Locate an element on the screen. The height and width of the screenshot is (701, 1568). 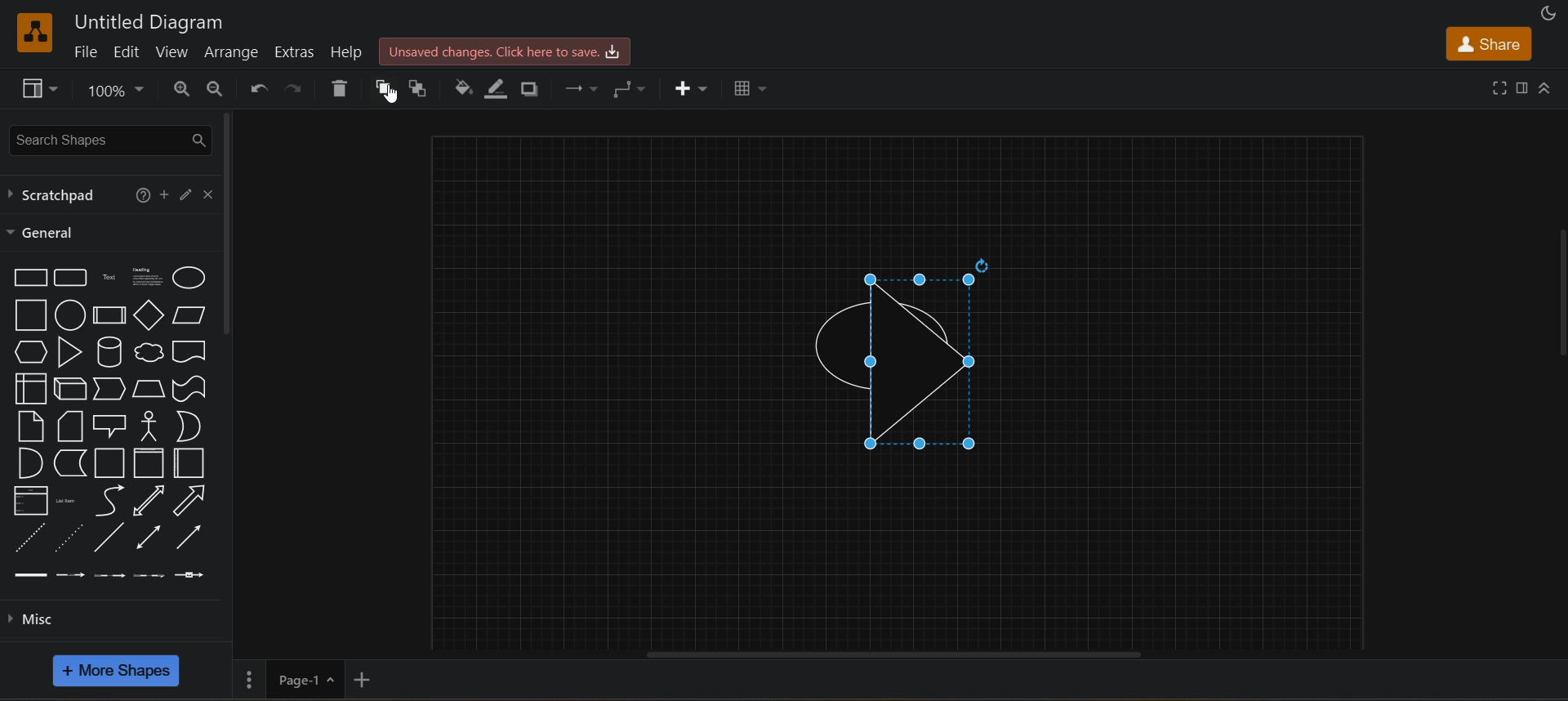
directional arrow is located at coordinates (189, 352).